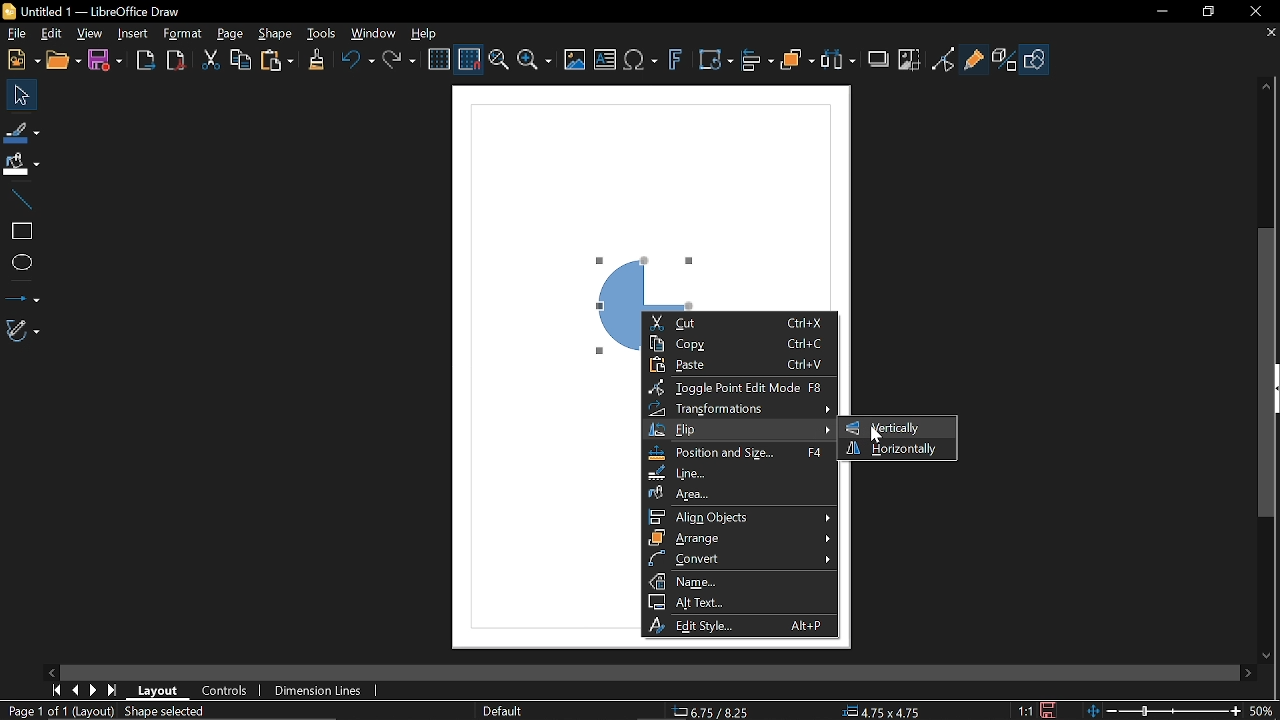 This screenshot has height=720, width=1280. Describe the element at coordinates (440, 58) in the screenshot. I see `Display grid` at that location.